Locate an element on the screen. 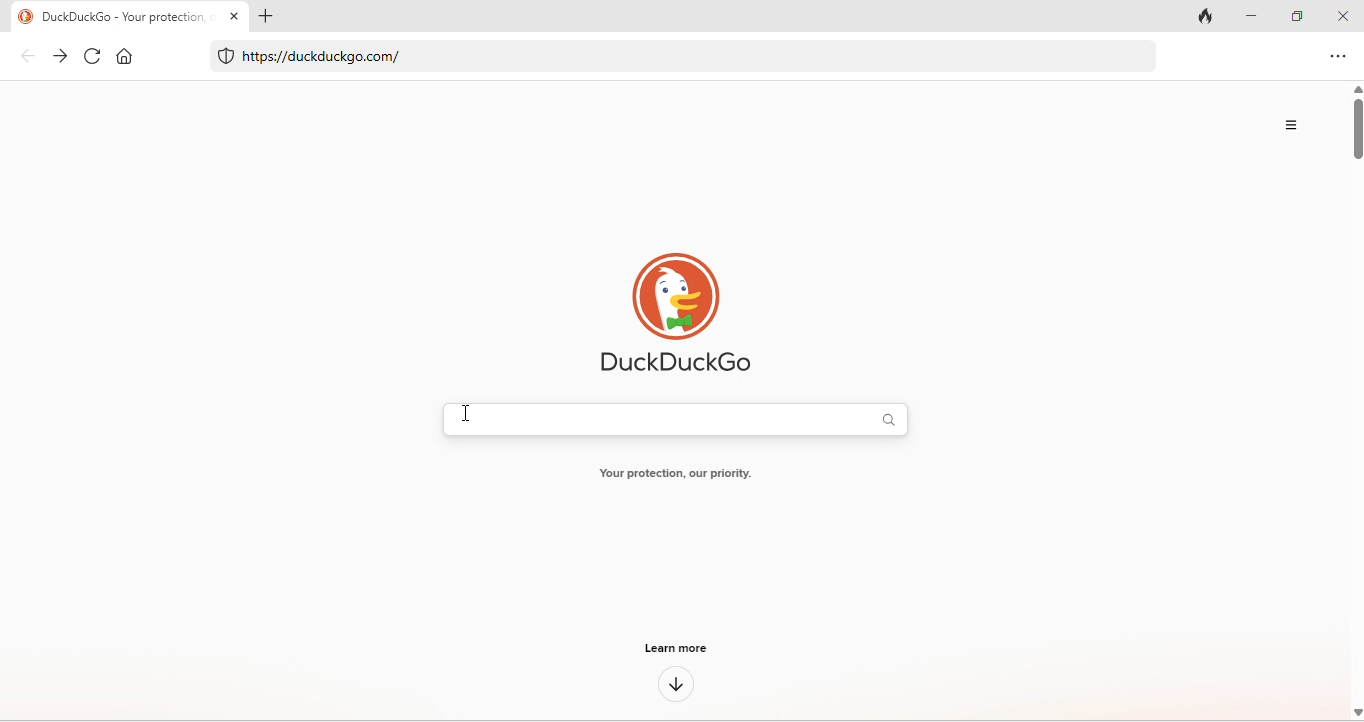 This screenshot has height=722, width=1364. title is located at coordinates (107, 17).